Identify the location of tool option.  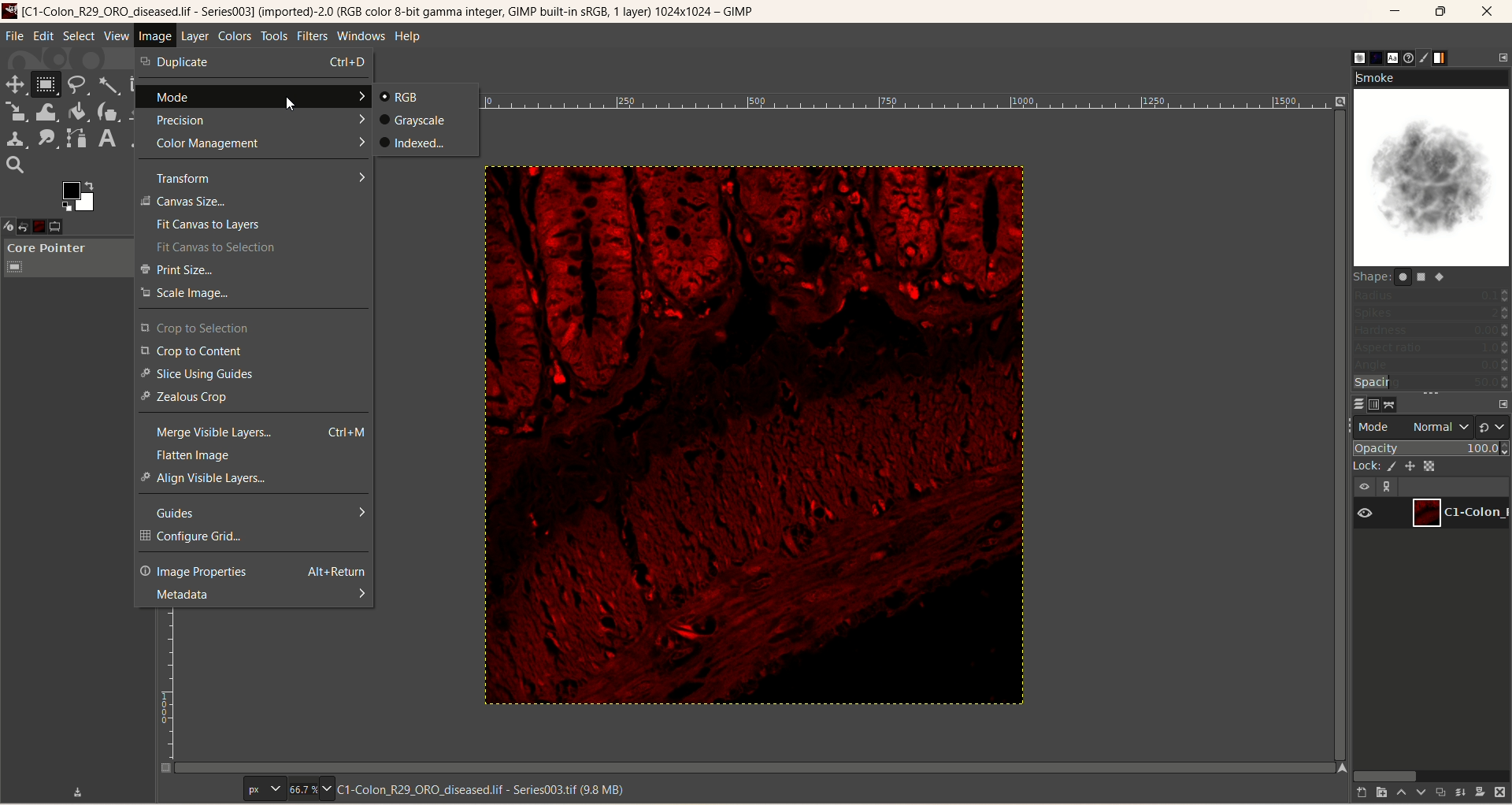
(57, 226).